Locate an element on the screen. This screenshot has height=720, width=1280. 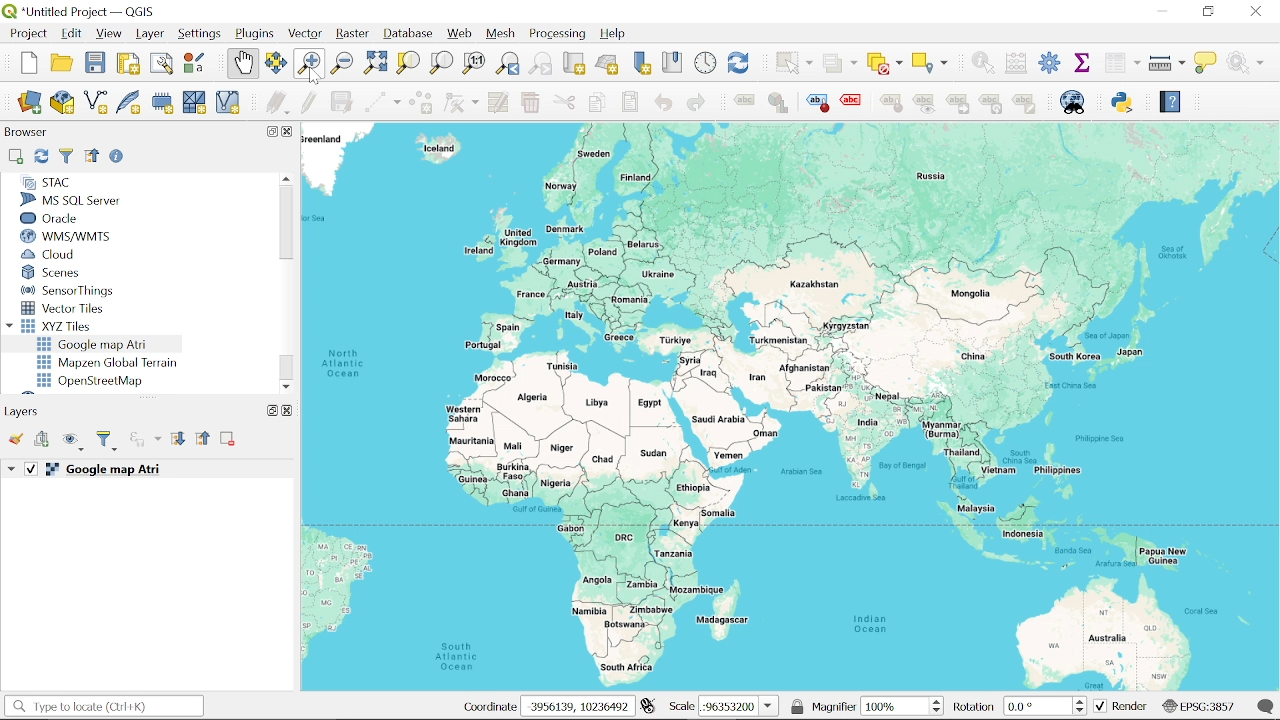
Paste feature is located at coordinates (631, 102).